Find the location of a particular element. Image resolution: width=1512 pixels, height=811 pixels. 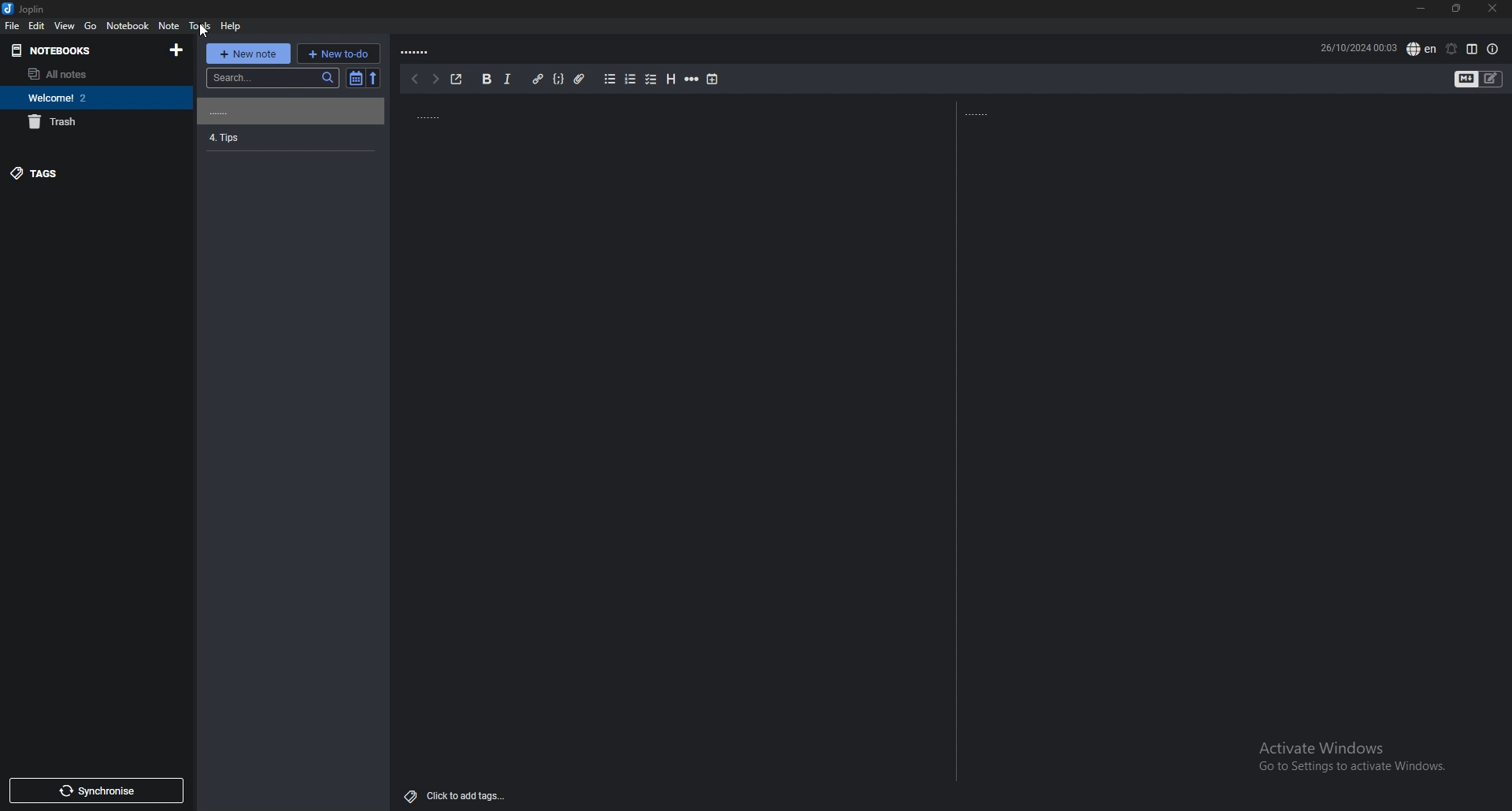

new note is located at coordinates (249, 54).